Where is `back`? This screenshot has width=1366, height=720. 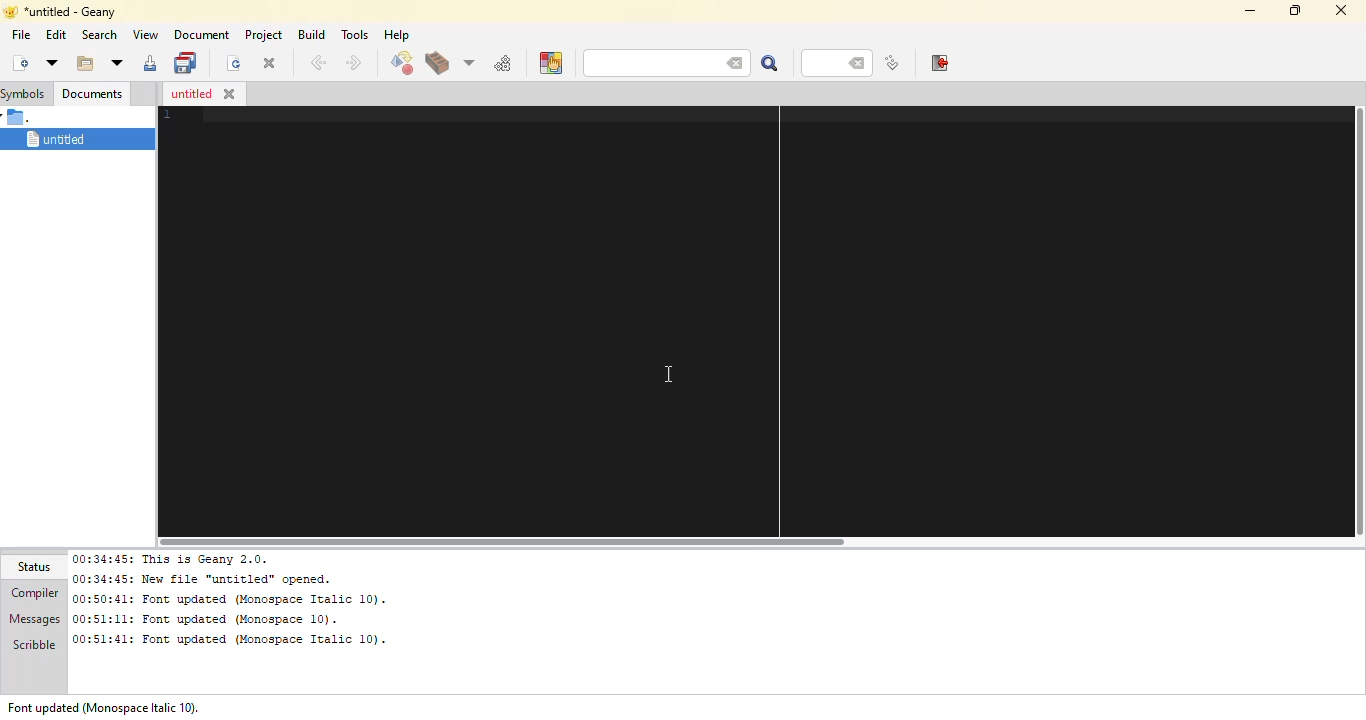 back is located at coordinates (317, 63).